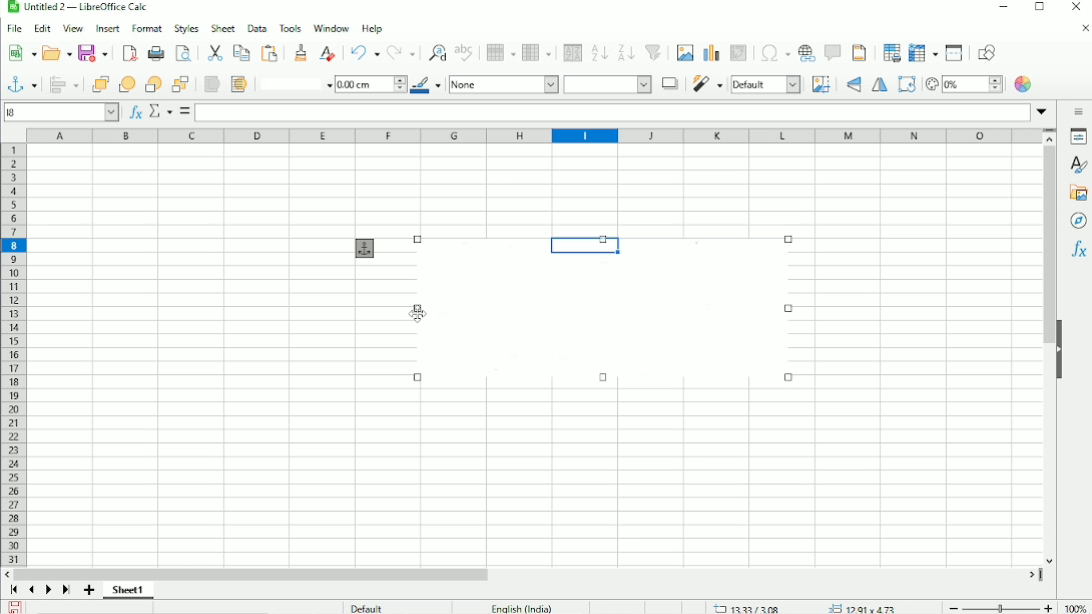  I want to click on Restore down, so click(1039, 10).